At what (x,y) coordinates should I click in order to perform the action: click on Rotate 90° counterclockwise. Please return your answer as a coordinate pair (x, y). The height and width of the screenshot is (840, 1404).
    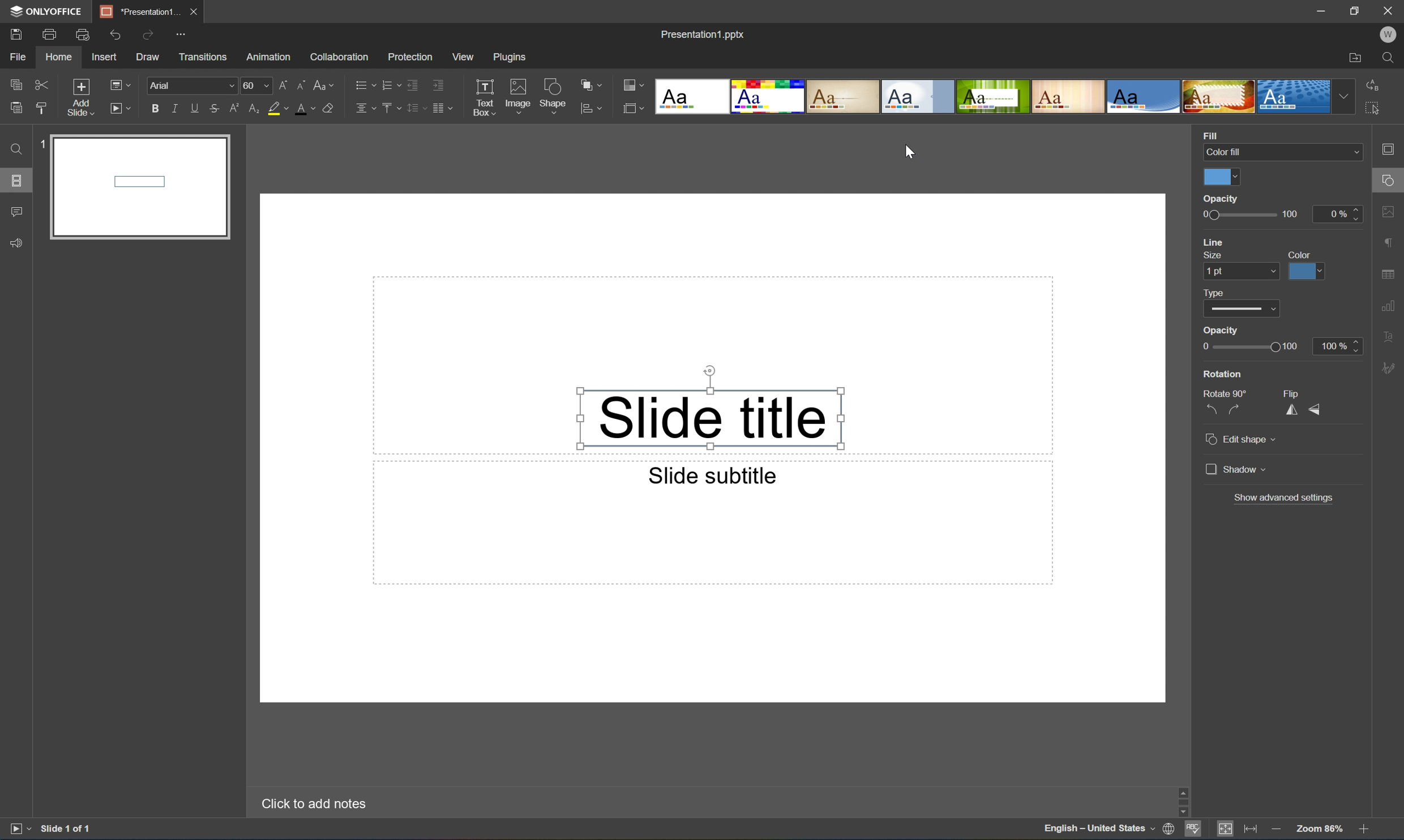
    Looking at the image, I should click on (1214, 406).